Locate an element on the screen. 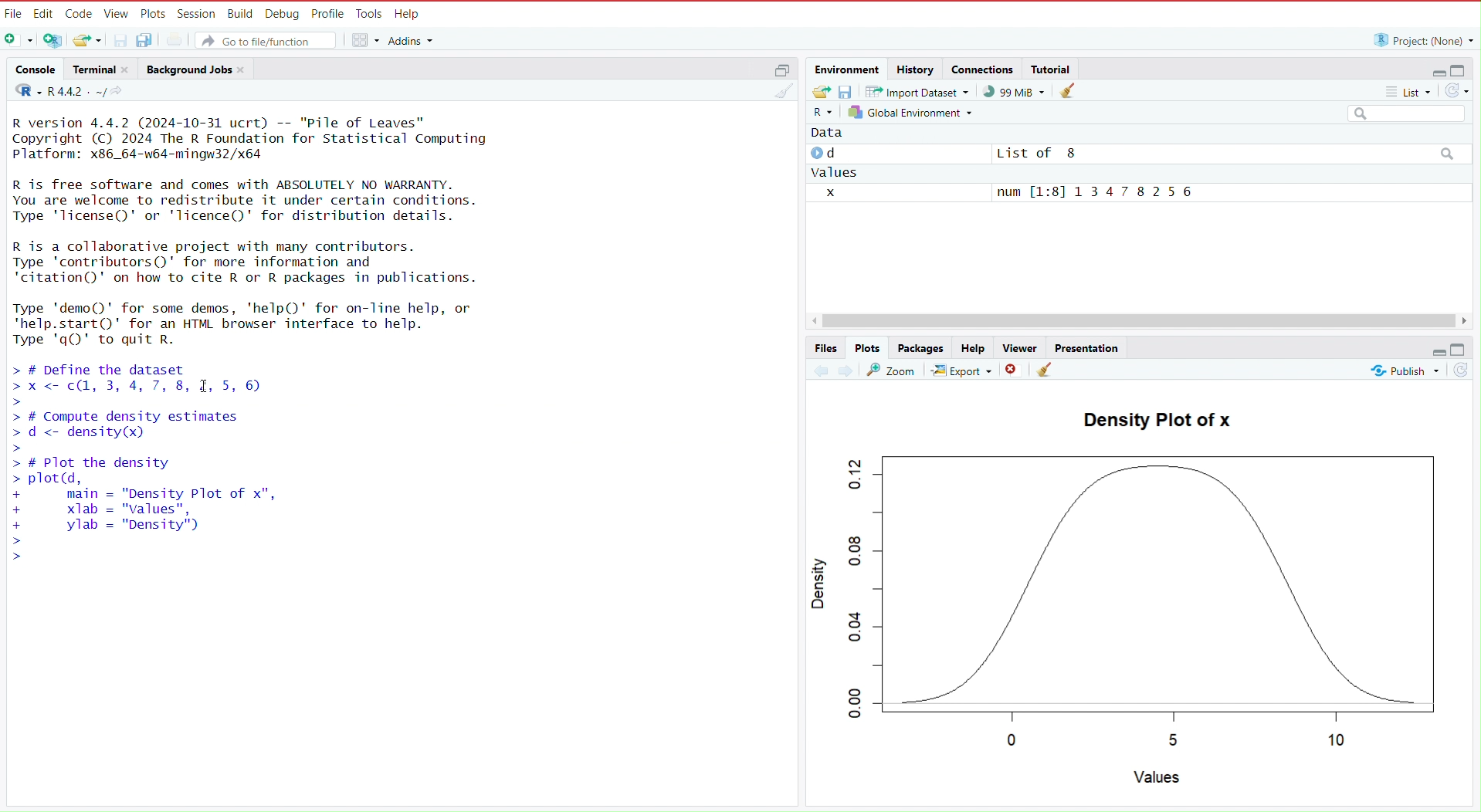 The image size is (1481, 812). clear all plots is located at coordinates (1043, 372).